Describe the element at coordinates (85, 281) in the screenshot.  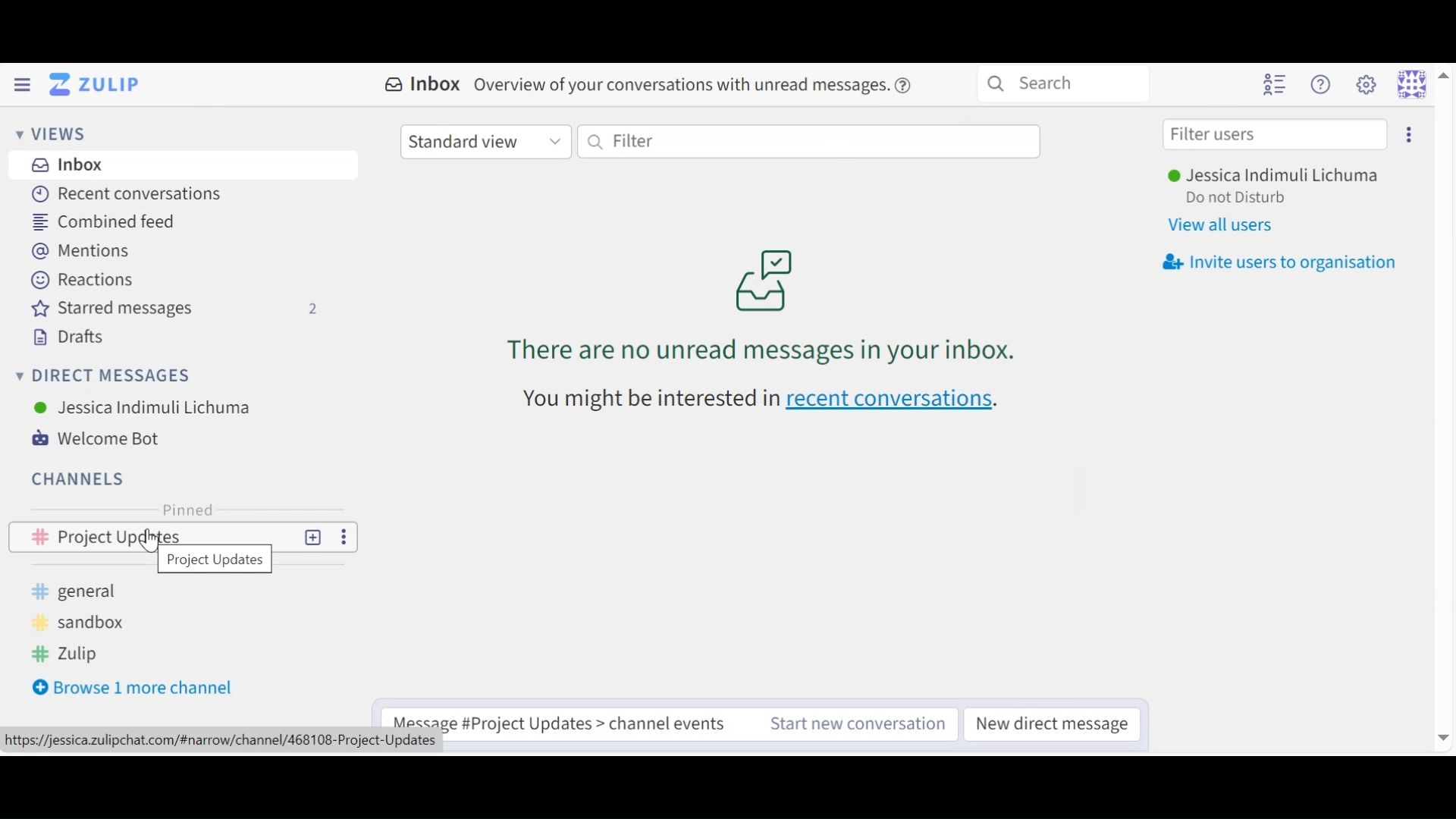
I see `Reactions` at that location.